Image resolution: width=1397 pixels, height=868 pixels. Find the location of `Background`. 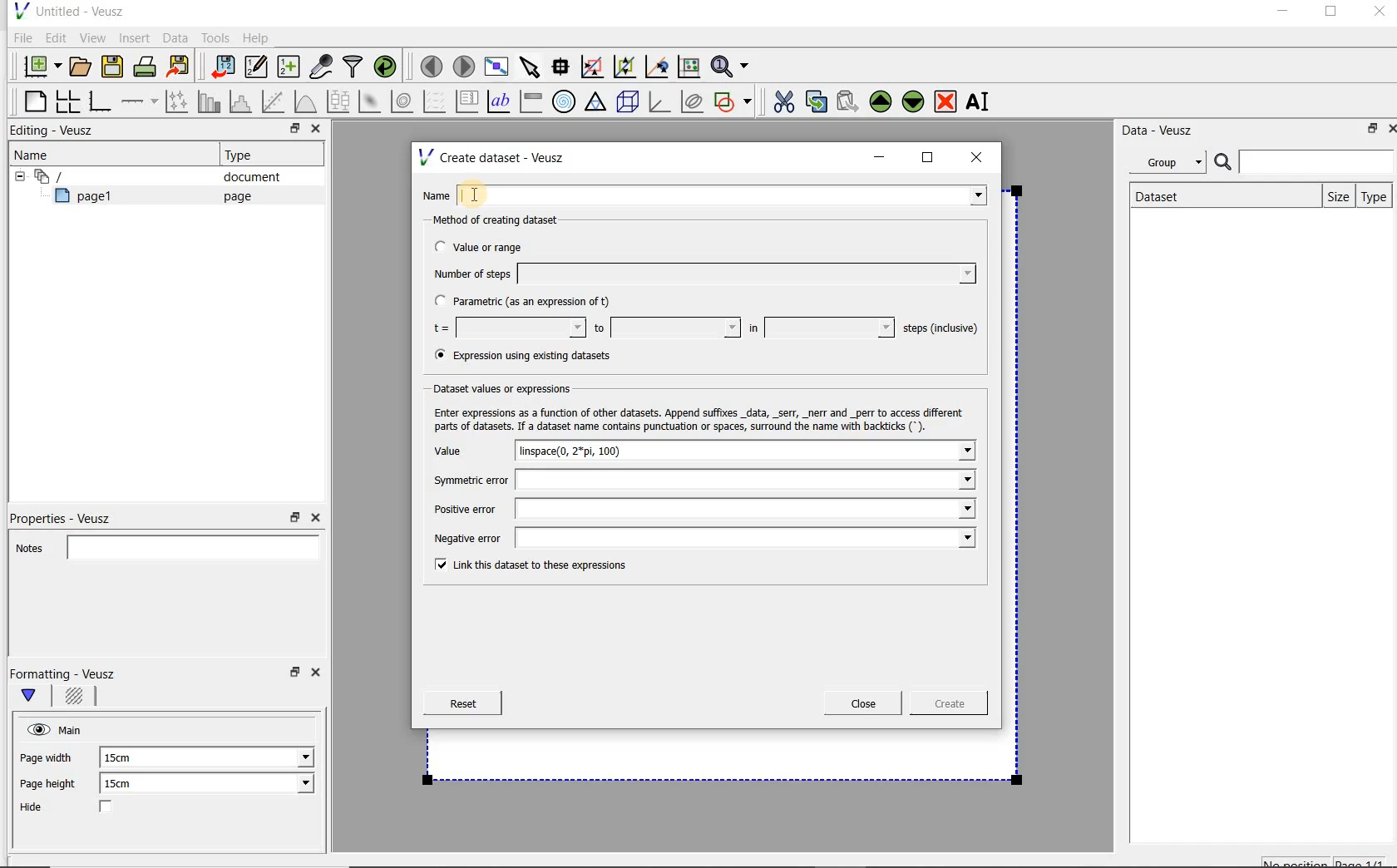

Background is located at coordinates (77, 698).